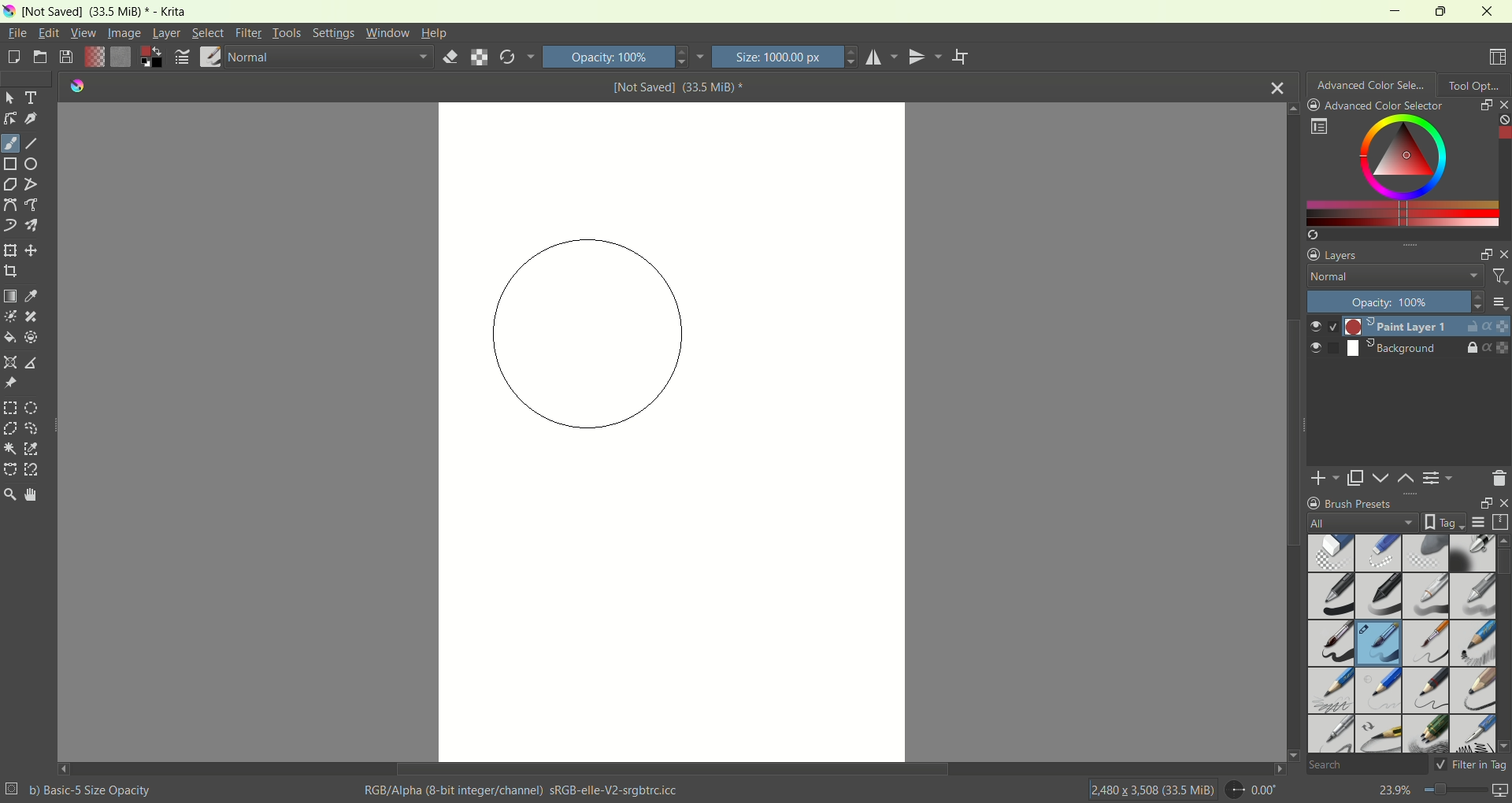 This screenshot has height=803, width=1512. What do you see at coordinates (1332, 643) in the screenshot?
I see `basic 5` at bounding box center [1332, 643].